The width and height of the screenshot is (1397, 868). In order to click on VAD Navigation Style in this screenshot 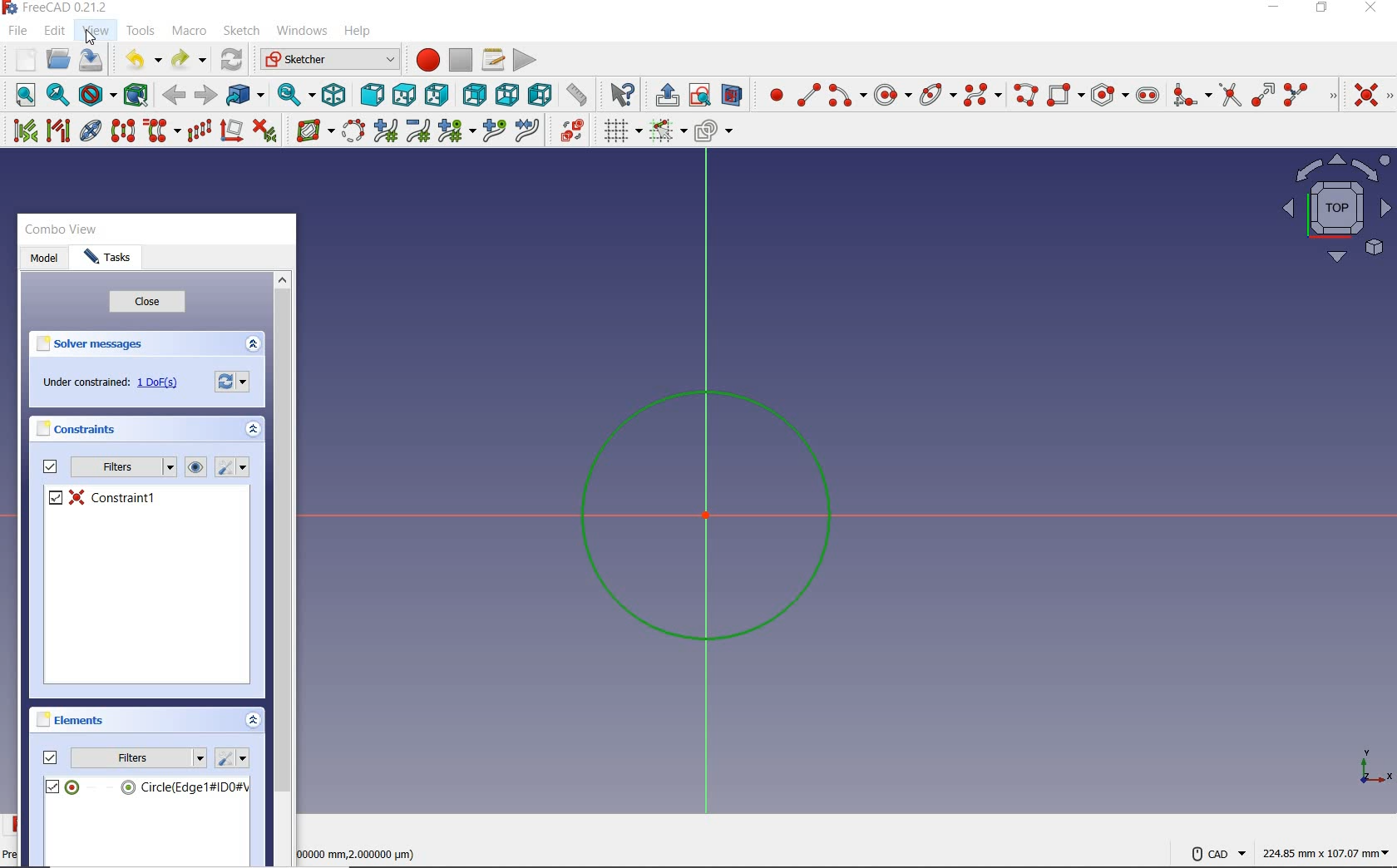, I will do `click(1217, 855)`.